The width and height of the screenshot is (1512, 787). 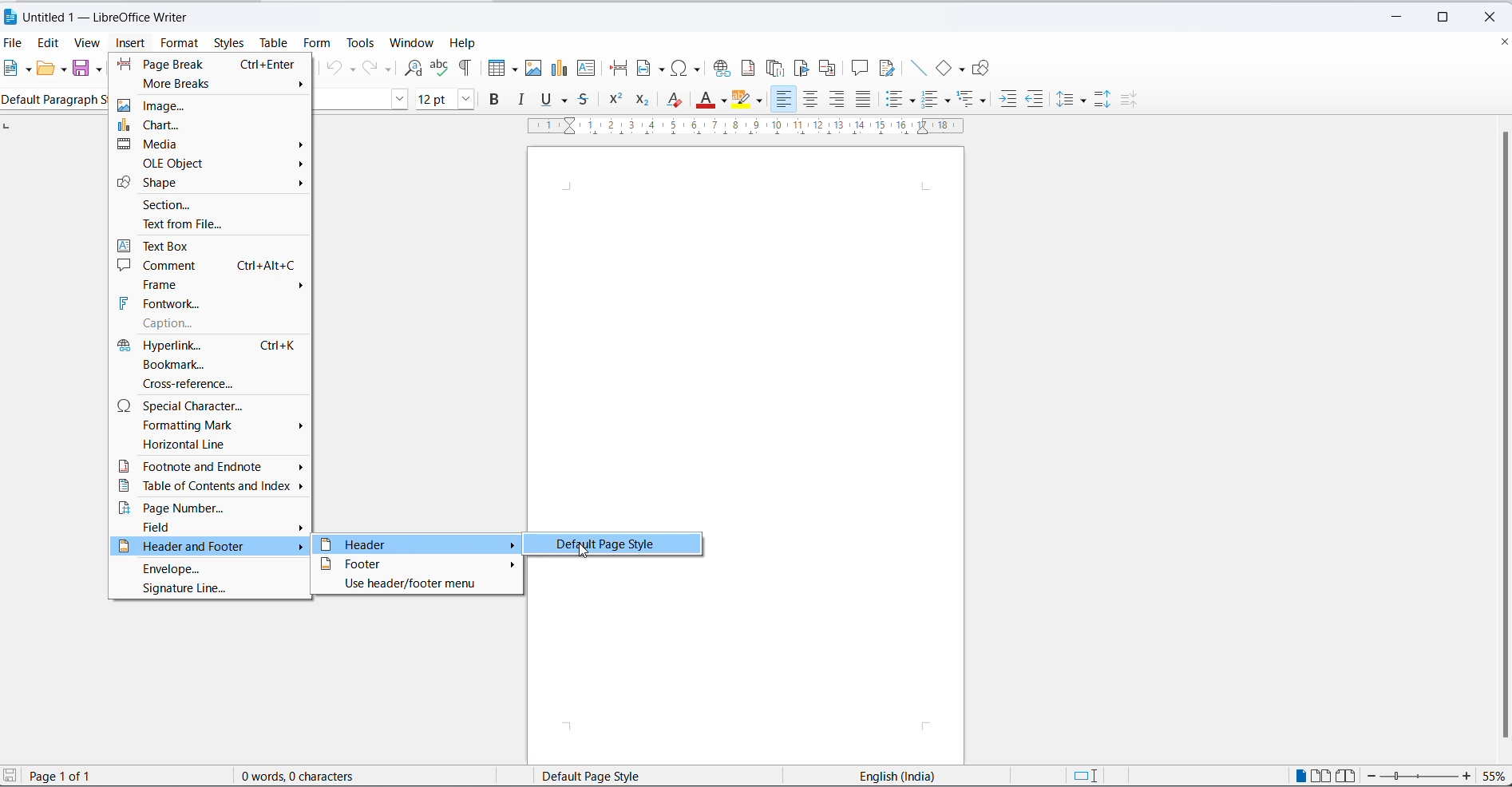 What do you see at coordinates (1421, 777) in the screenshot?
I see `zoom slider` at bounding box center [1421, 777].